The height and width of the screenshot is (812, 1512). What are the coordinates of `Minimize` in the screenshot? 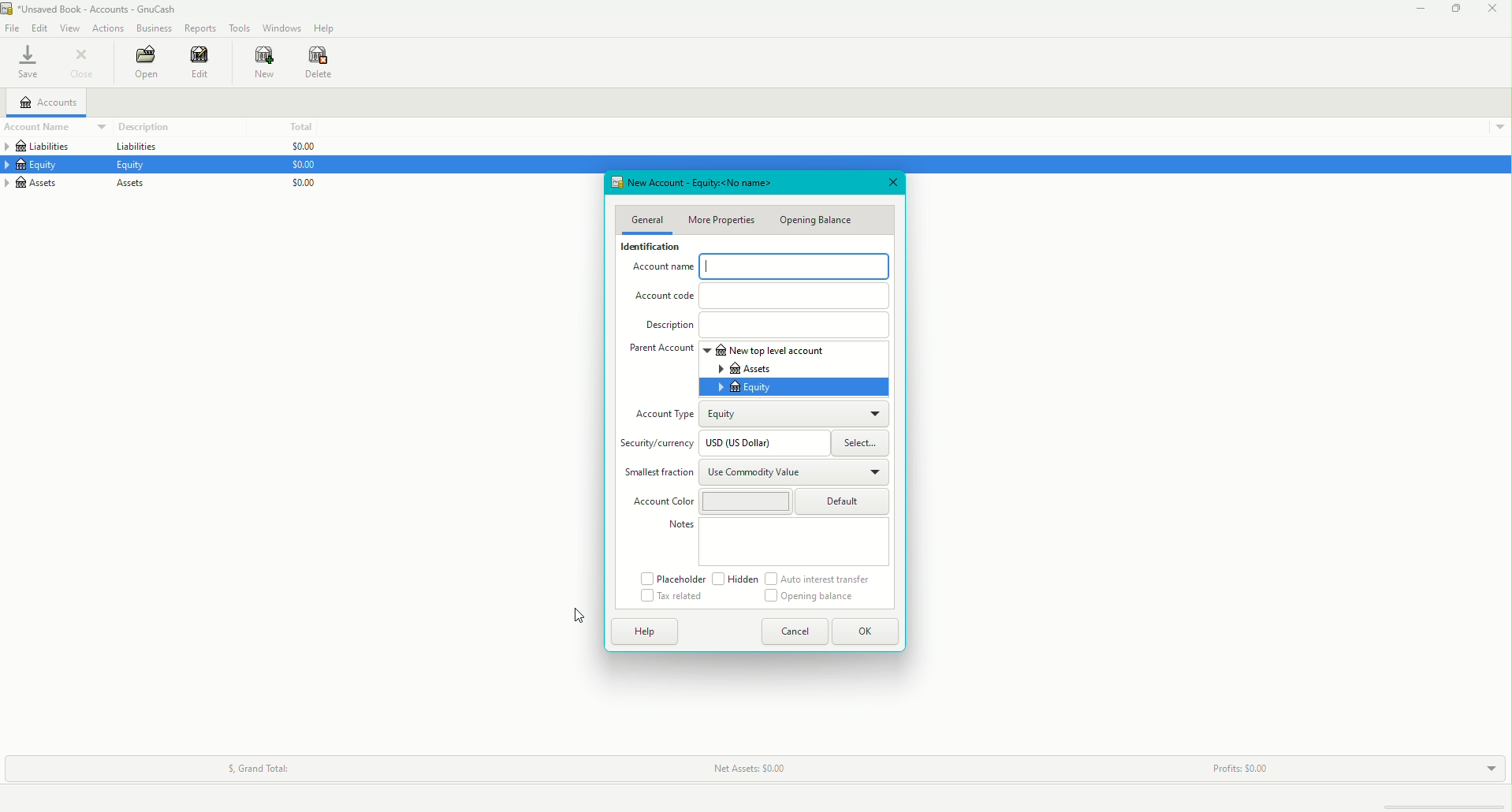 It's located at (1417, 9).